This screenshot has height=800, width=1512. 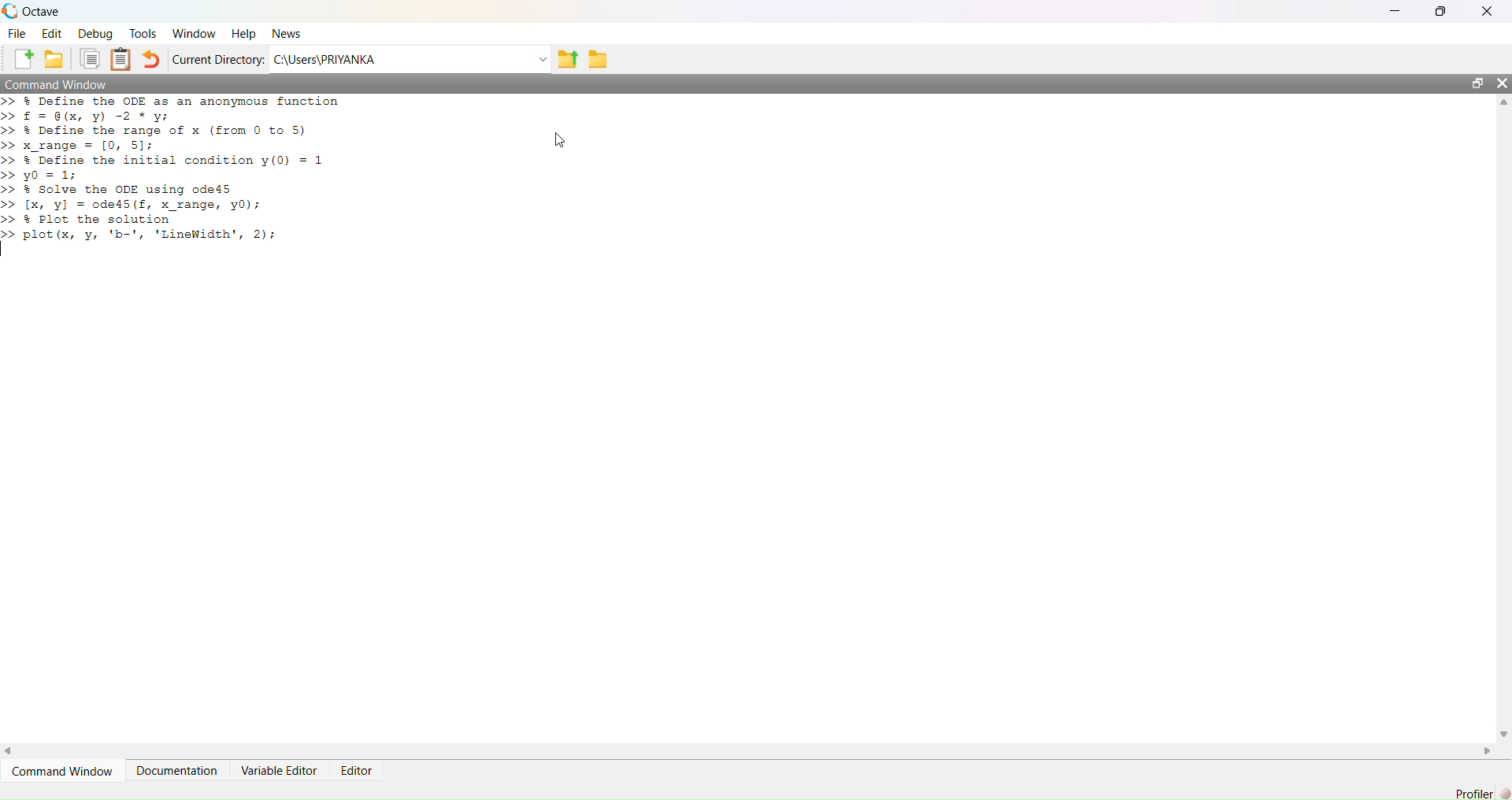 What do you see at coordinates (121, 59) in the screenshot?
I see `Paste` at bounding box center [121, 59].